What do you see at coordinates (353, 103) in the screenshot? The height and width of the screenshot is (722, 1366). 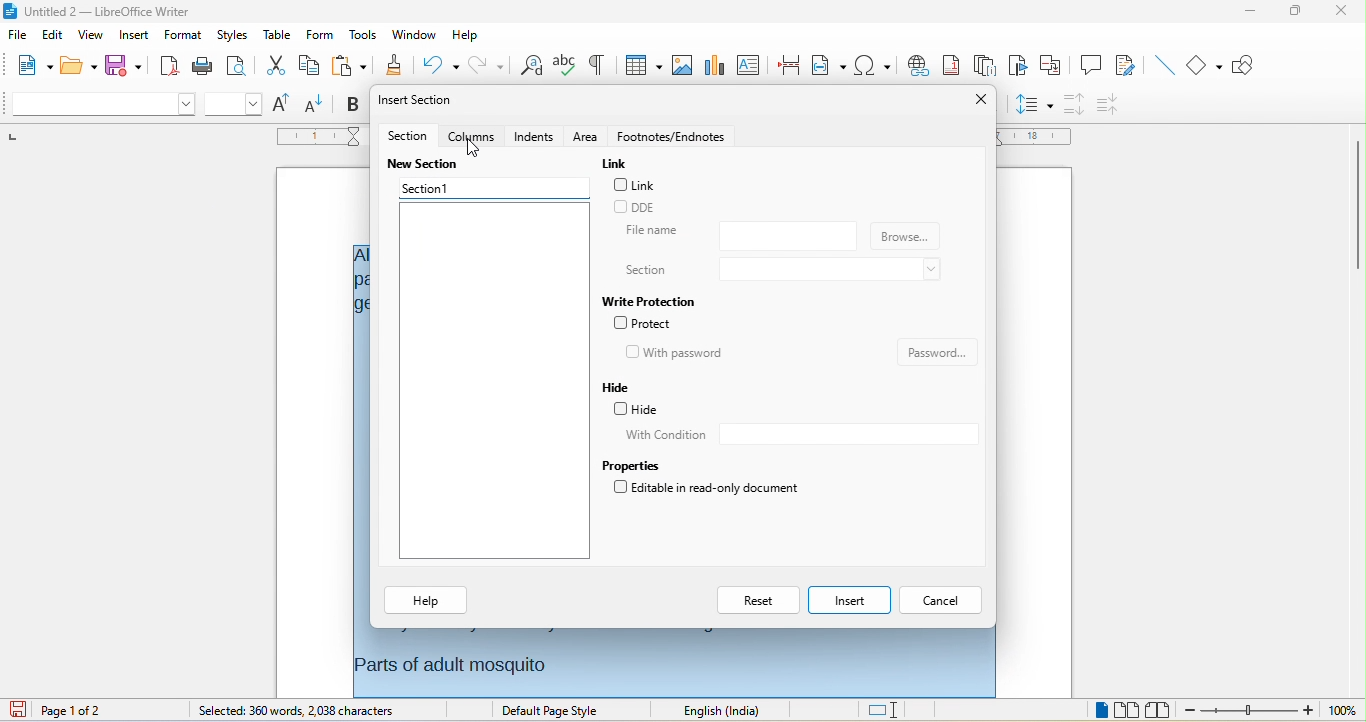 I see `bold` at bounding box center [353, 103].